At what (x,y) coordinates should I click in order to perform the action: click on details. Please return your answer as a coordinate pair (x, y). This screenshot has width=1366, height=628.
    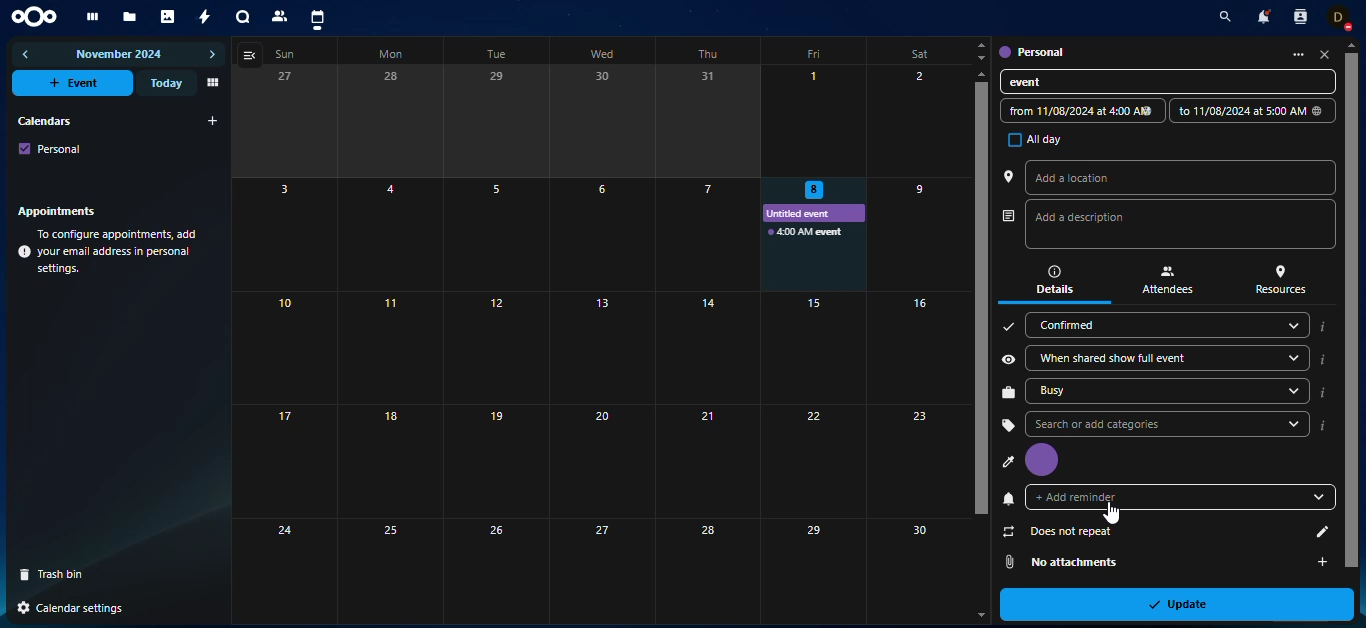
    Looking at the image, I should click on (1050, 280).